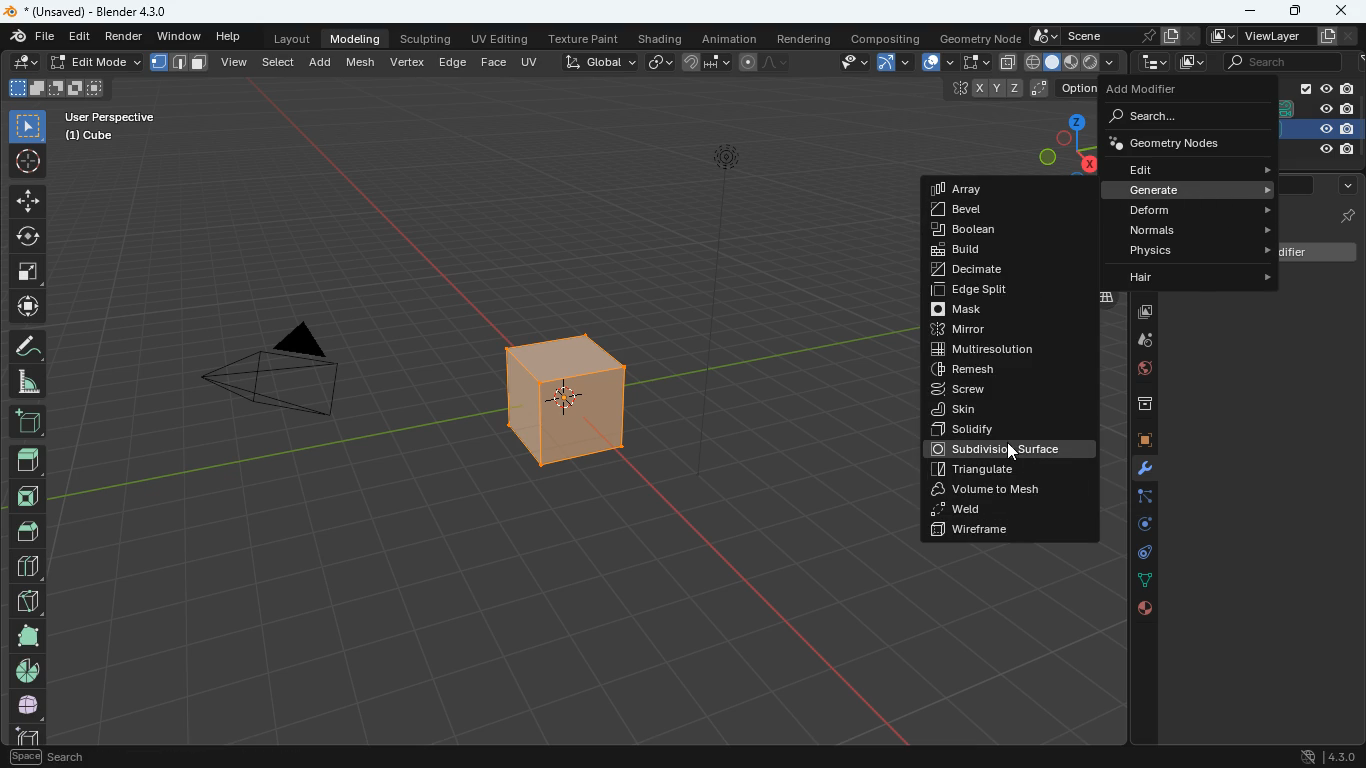  Describe the element at coordinates (1141, 472) in the screenshot. I see `modifiers` at that location.